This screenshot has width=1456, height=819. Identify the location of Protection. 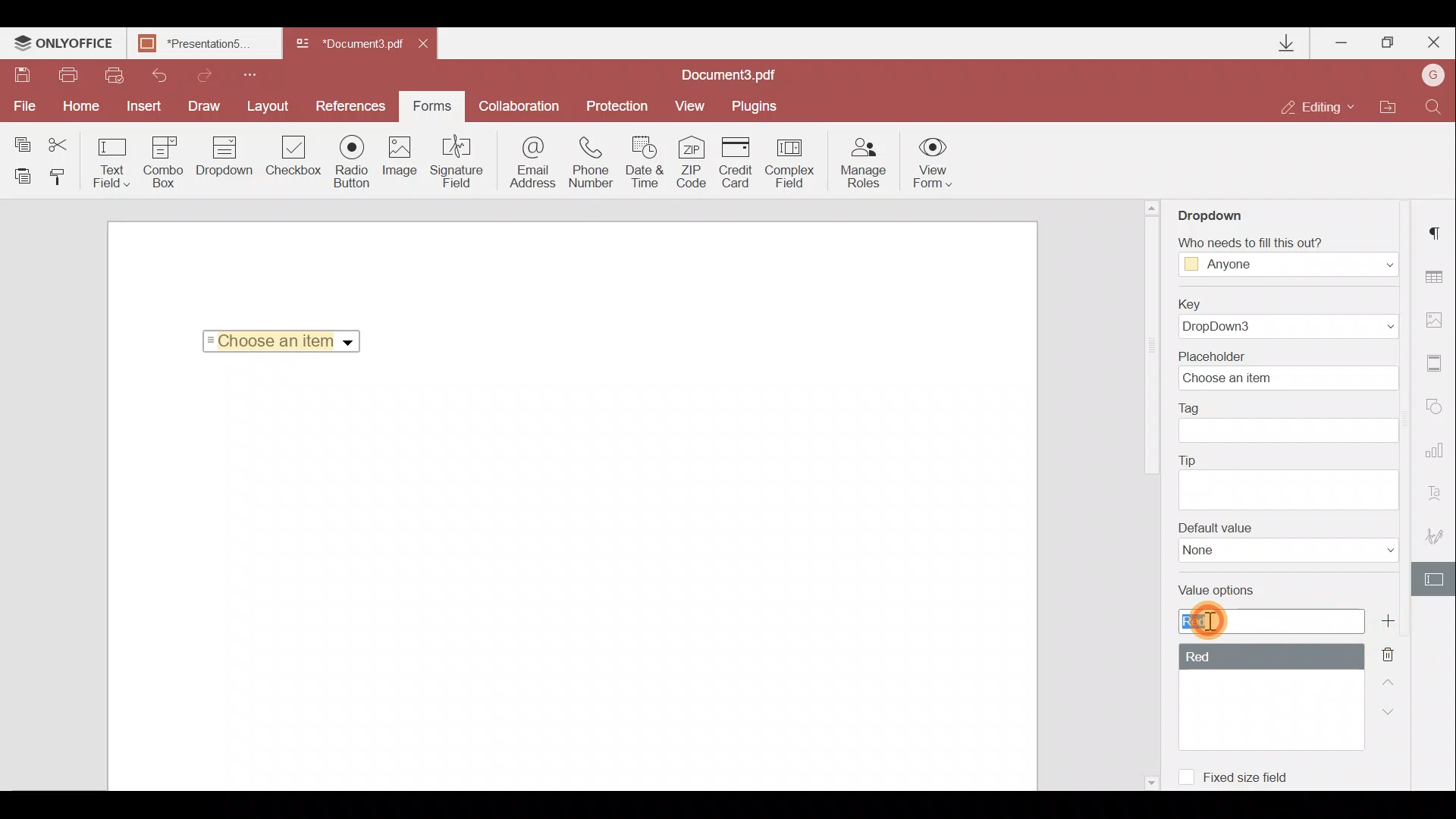
(613, 108).